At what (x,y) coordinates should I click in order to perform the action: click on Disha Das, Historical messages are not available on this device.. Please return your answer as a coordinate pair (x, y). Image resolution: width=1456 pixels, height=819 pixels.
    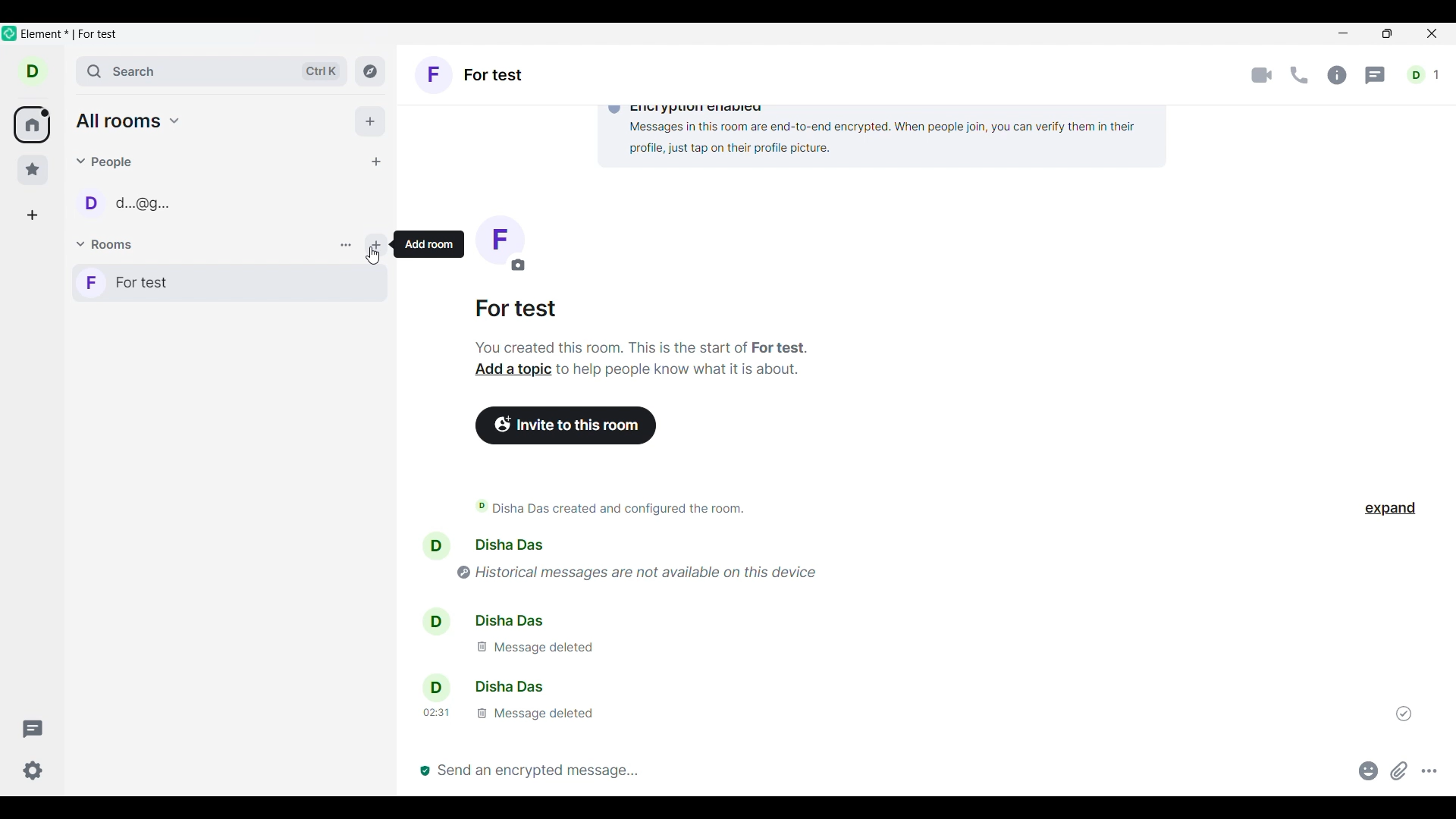
    Looking at the image, I should click on (728, 558).